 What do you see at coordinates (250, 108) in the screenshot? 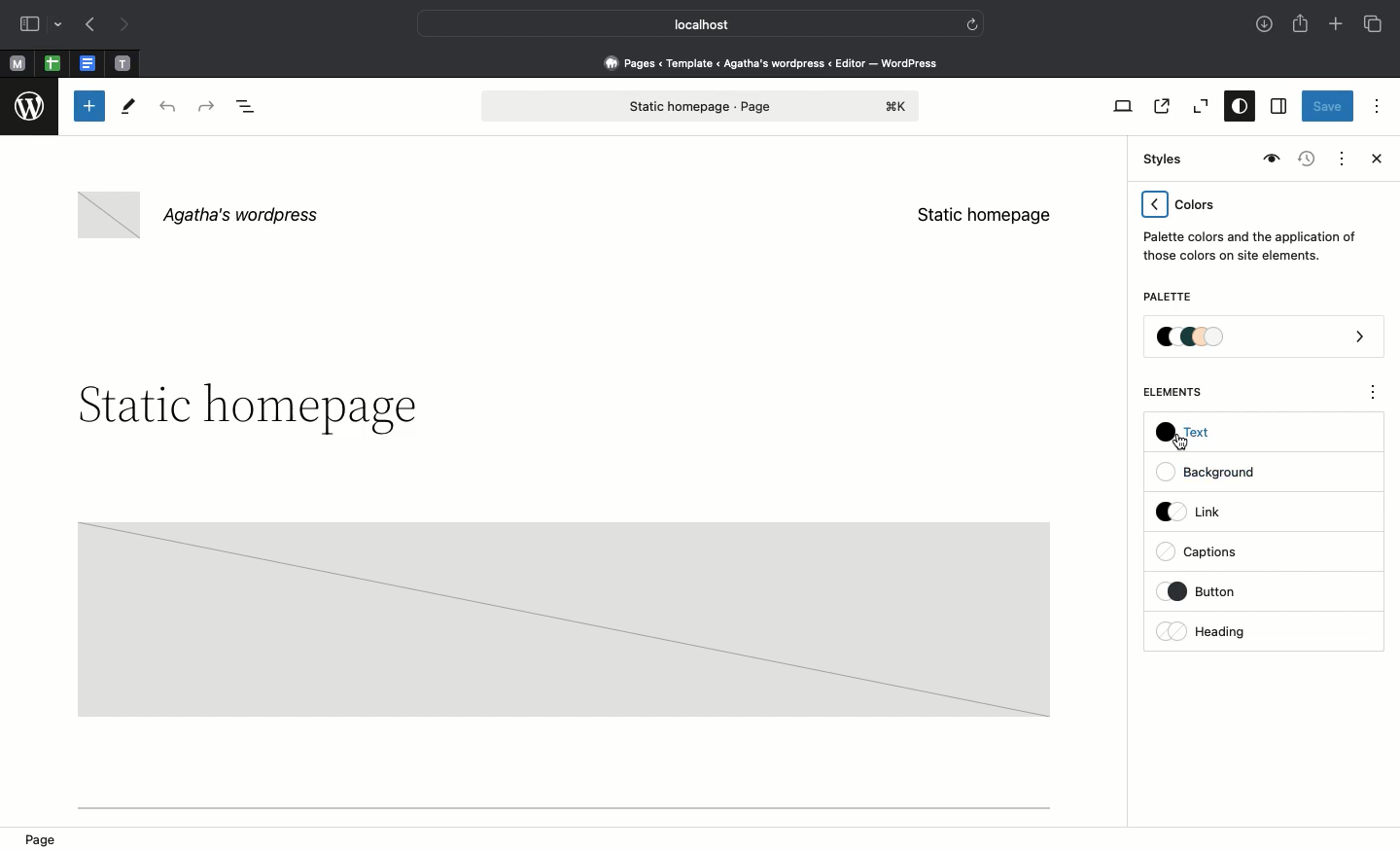
I see `Document overview` at bounding box center [250, 108].